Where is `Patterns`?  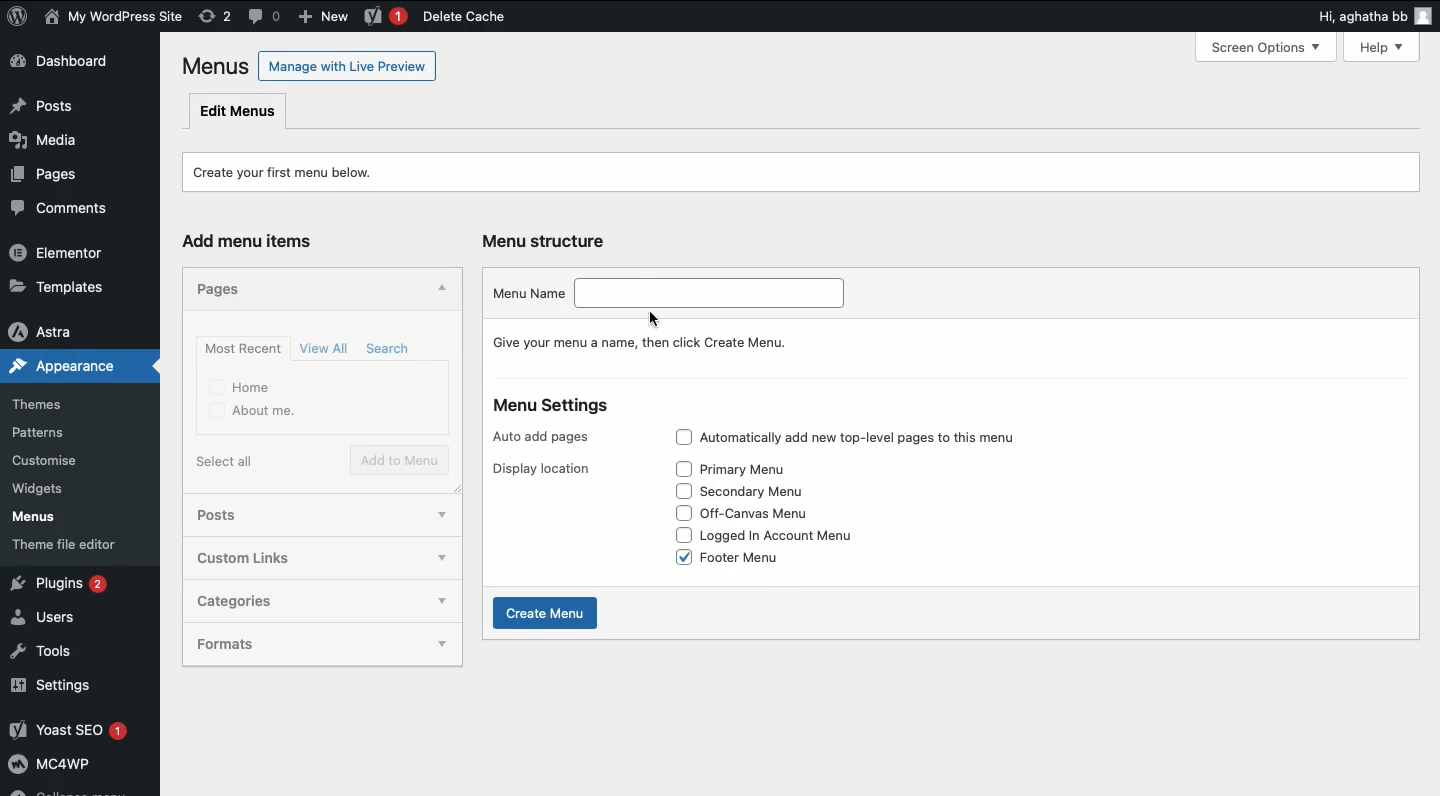
Patterns is located at coordinates (54, 429).